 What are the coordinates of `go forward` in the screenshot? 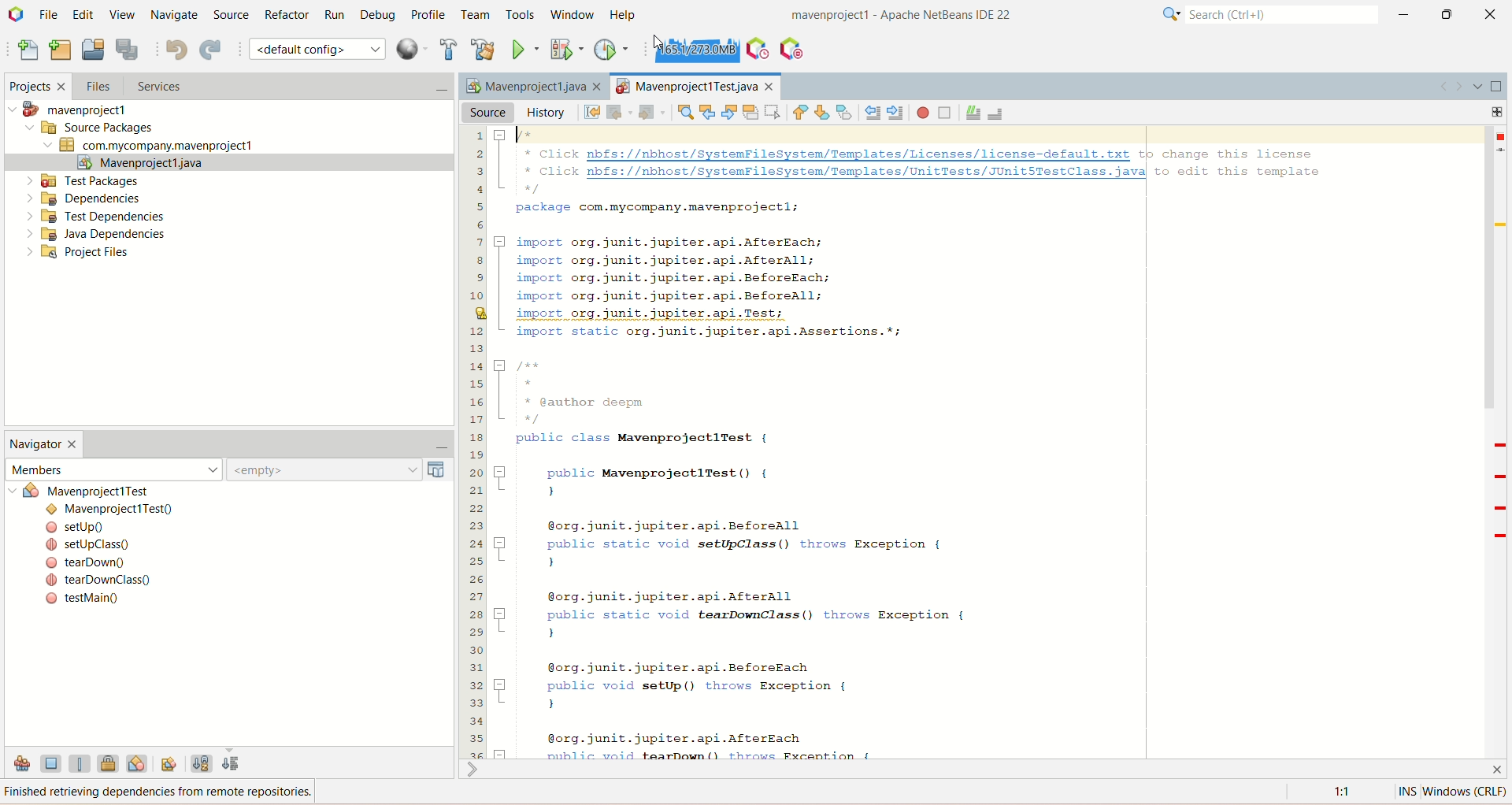 It's located at (1458, 86).